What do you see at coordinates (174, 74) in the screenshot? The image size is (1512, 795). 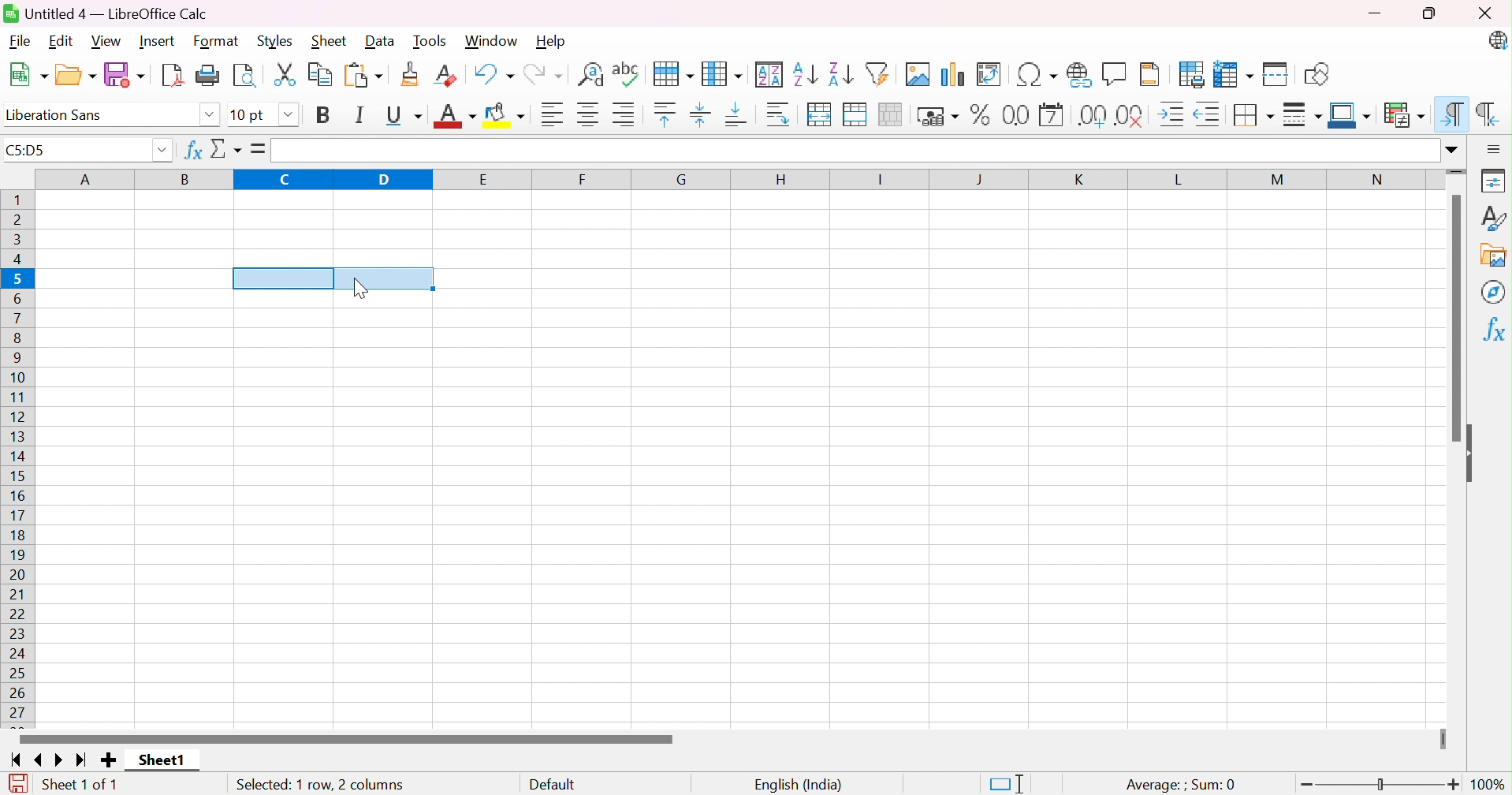 I see `Export as PDF` at bounding box center [174, 74].